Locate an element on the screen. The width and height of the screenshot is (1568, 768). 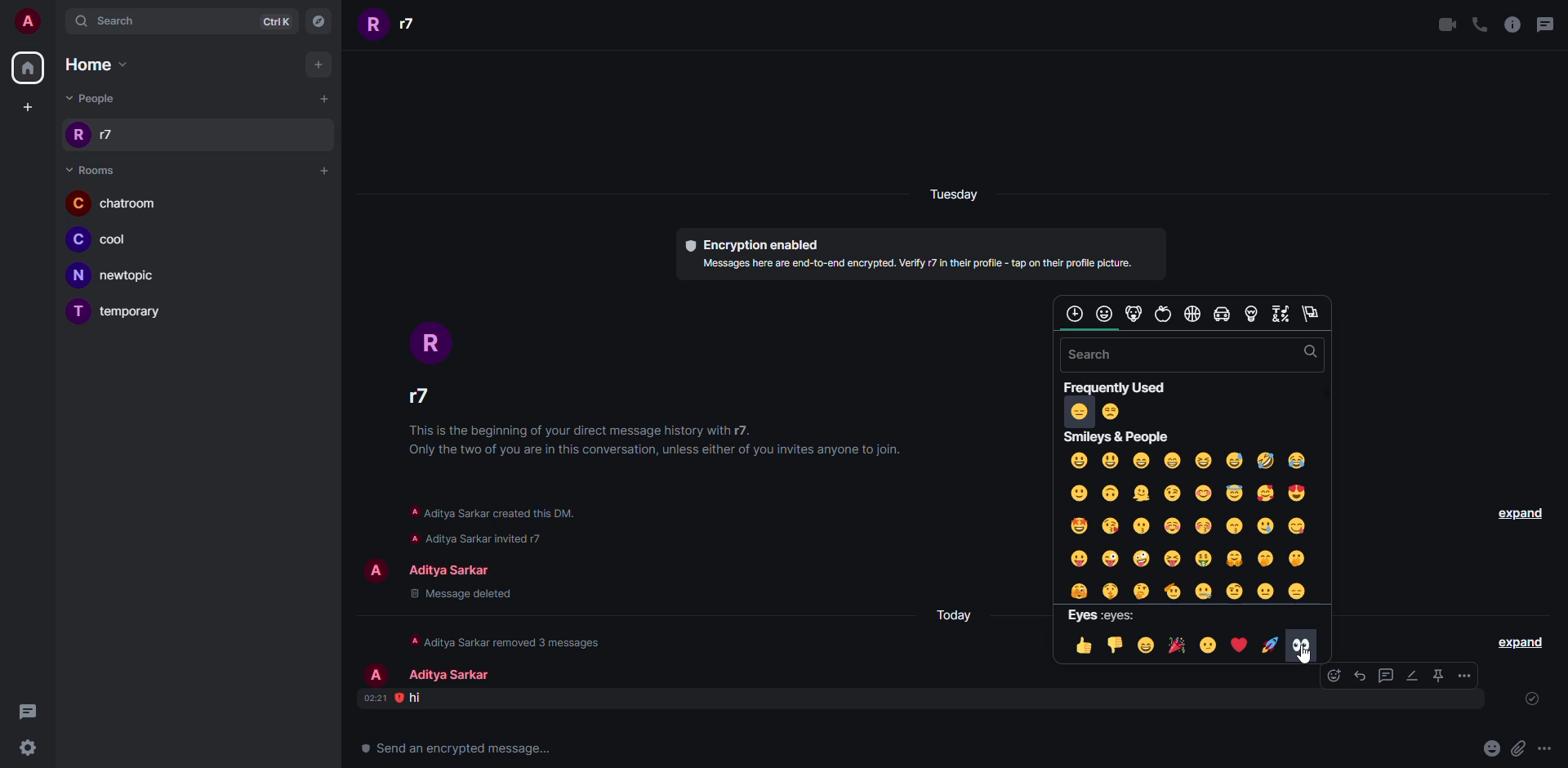
people is located at coordinates (452, 676).